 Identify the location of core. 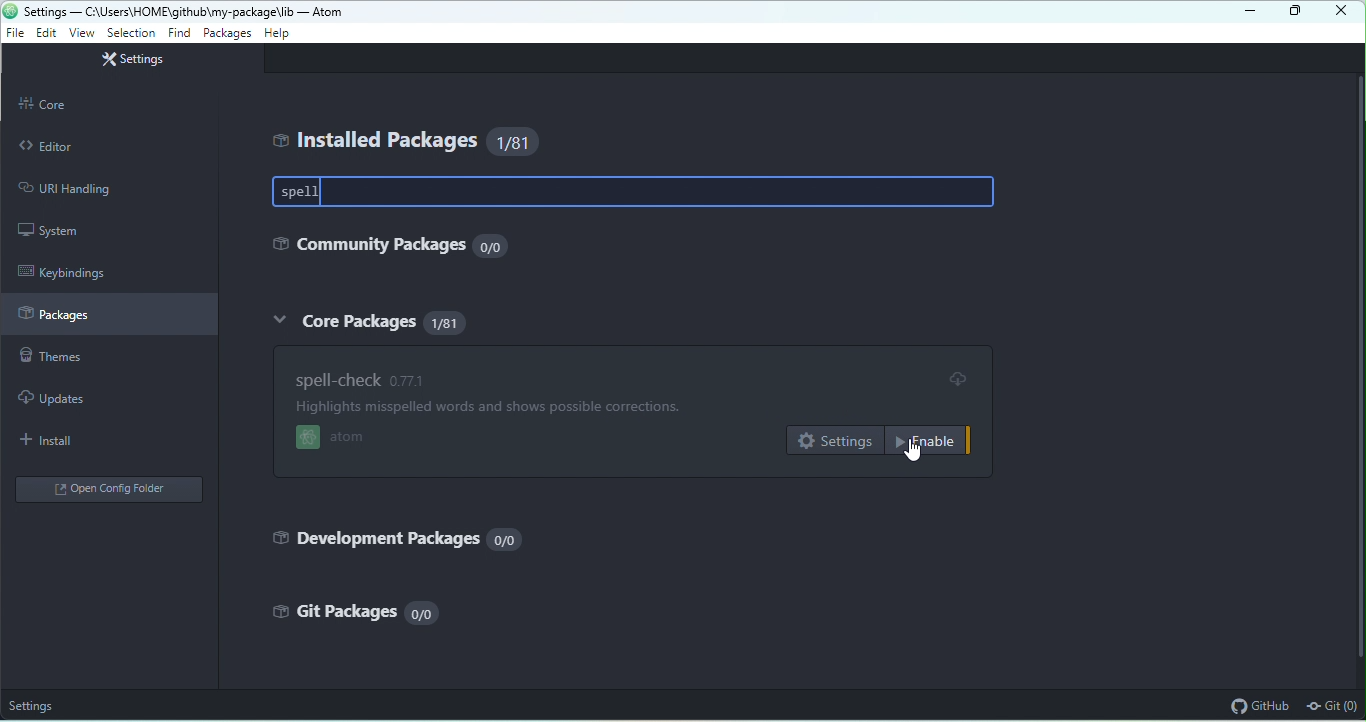
(112, 105).